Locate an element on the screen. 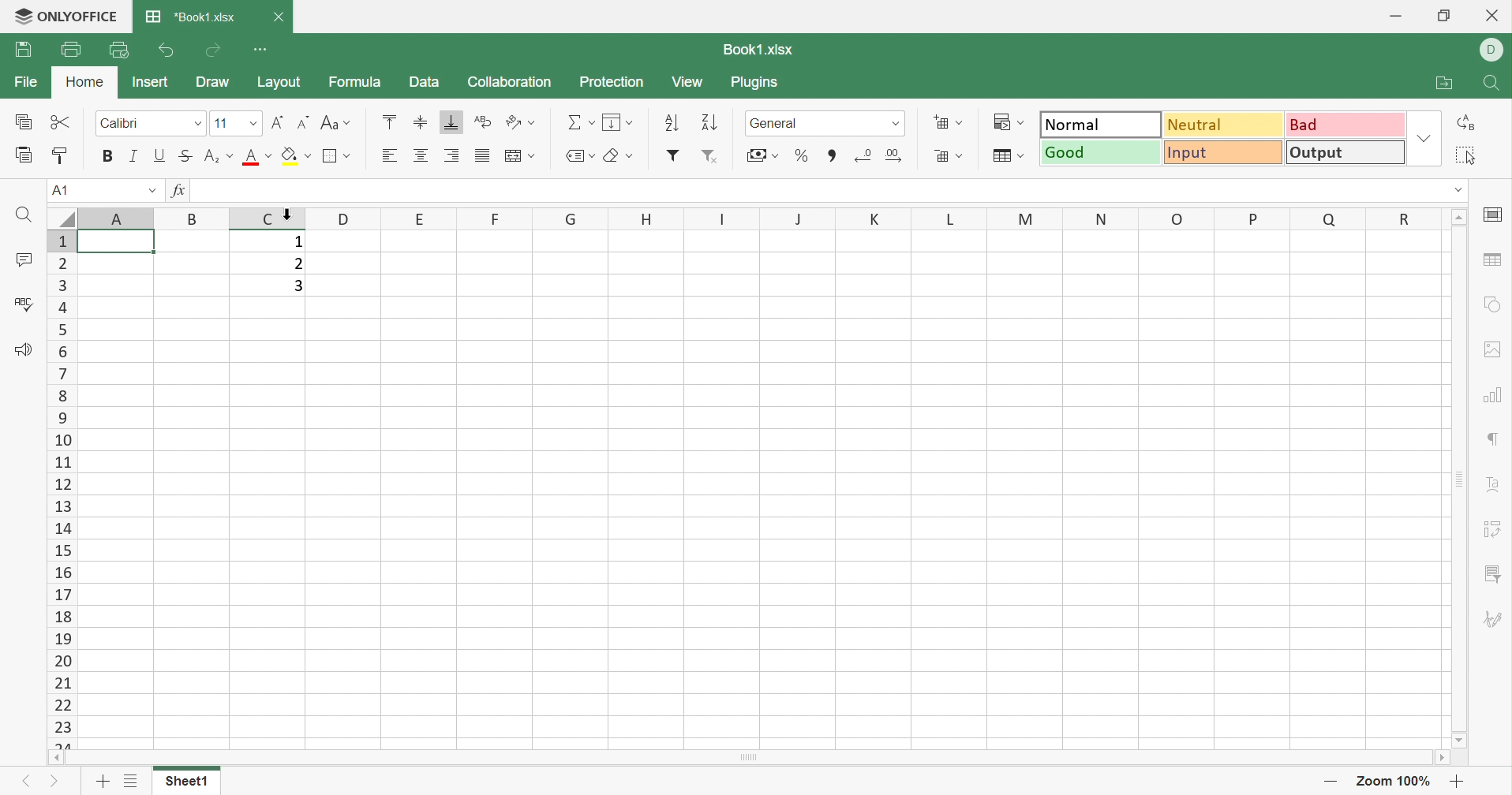  Drop Down is located at coordinates (252, 122).